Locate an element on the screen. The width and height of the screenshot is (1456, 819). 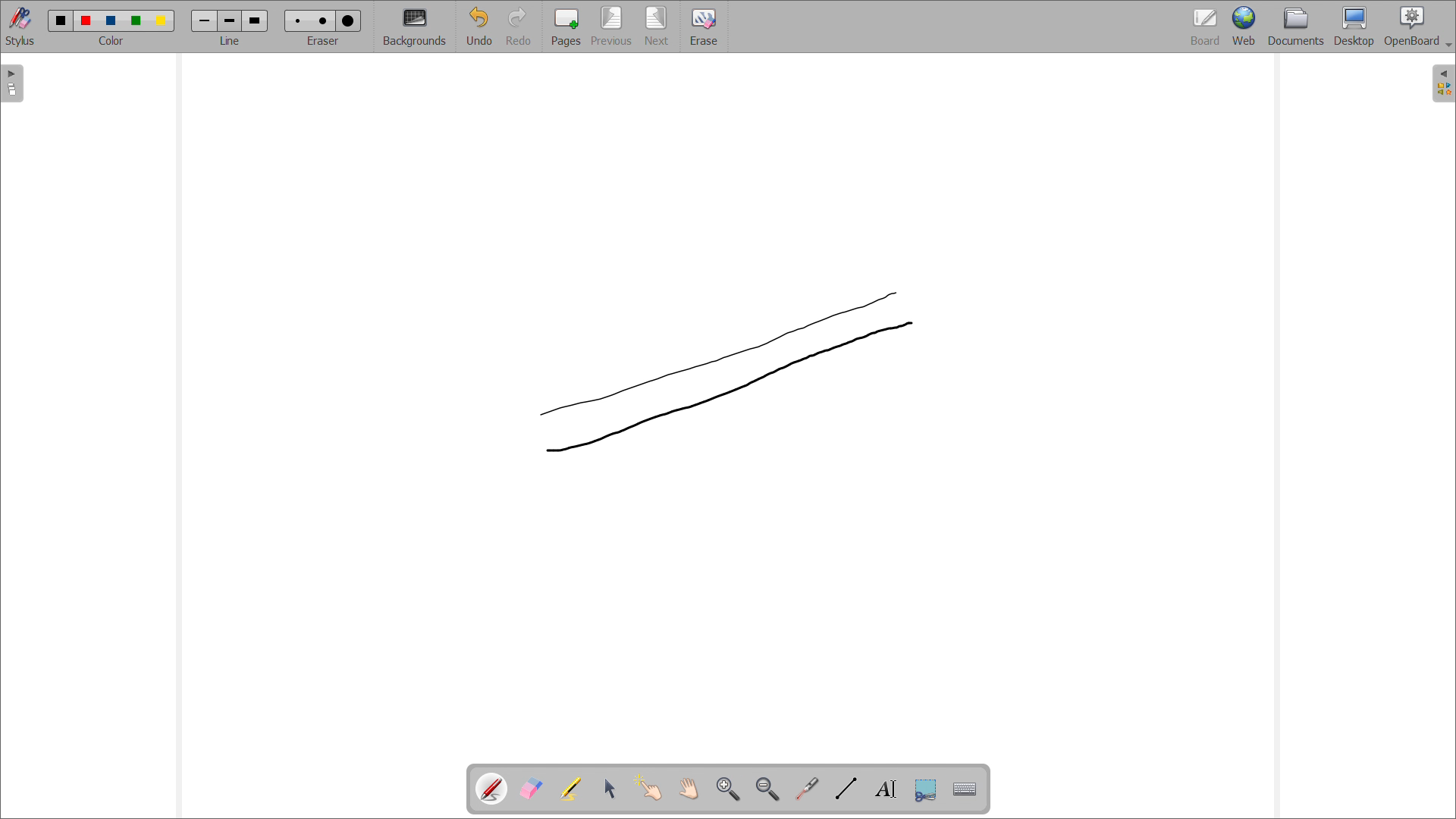
redo is located at coordinates (519, 26).